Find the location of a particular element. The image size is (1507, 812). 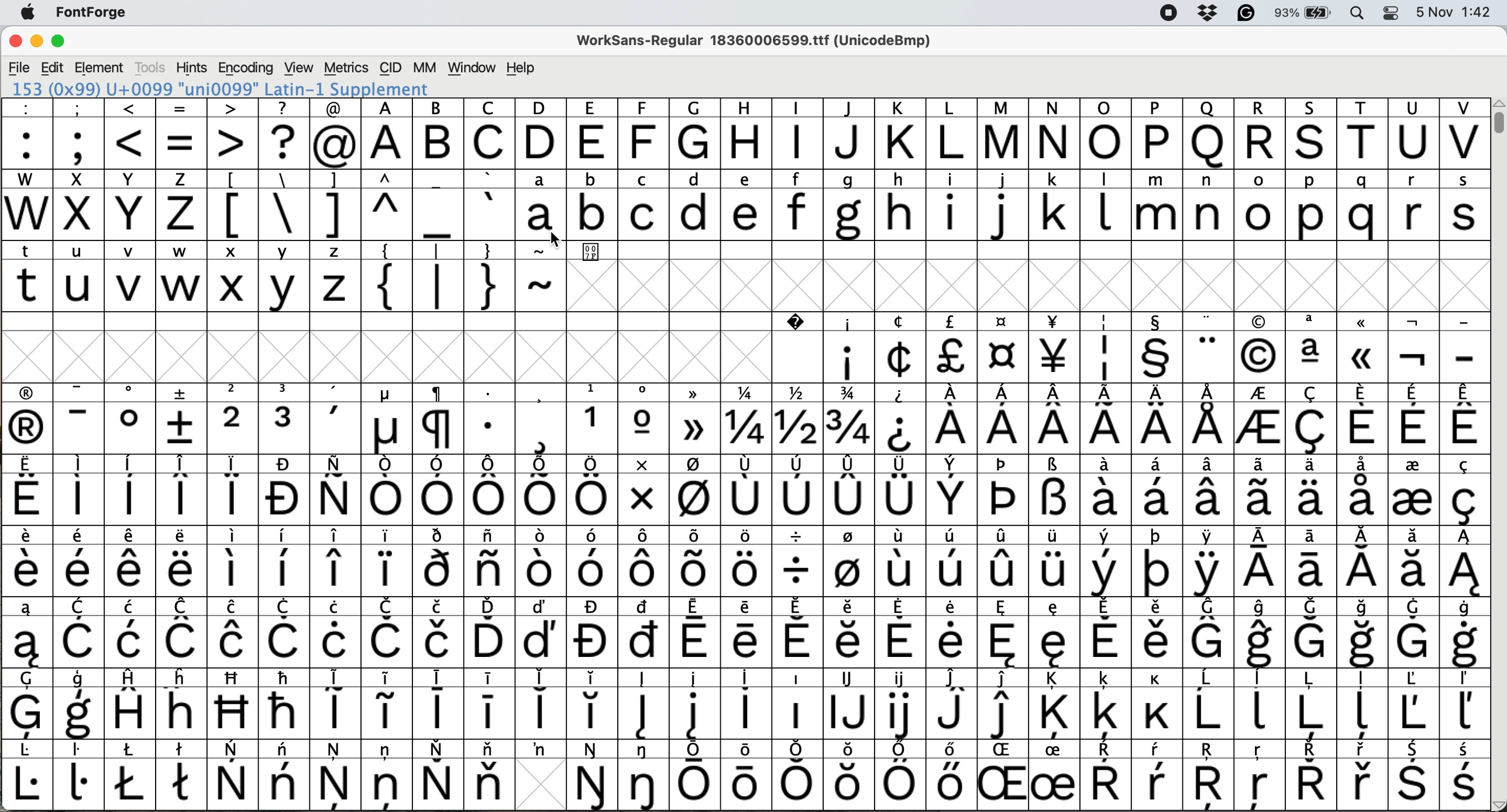

symbol is located at coordinates (696, 560).